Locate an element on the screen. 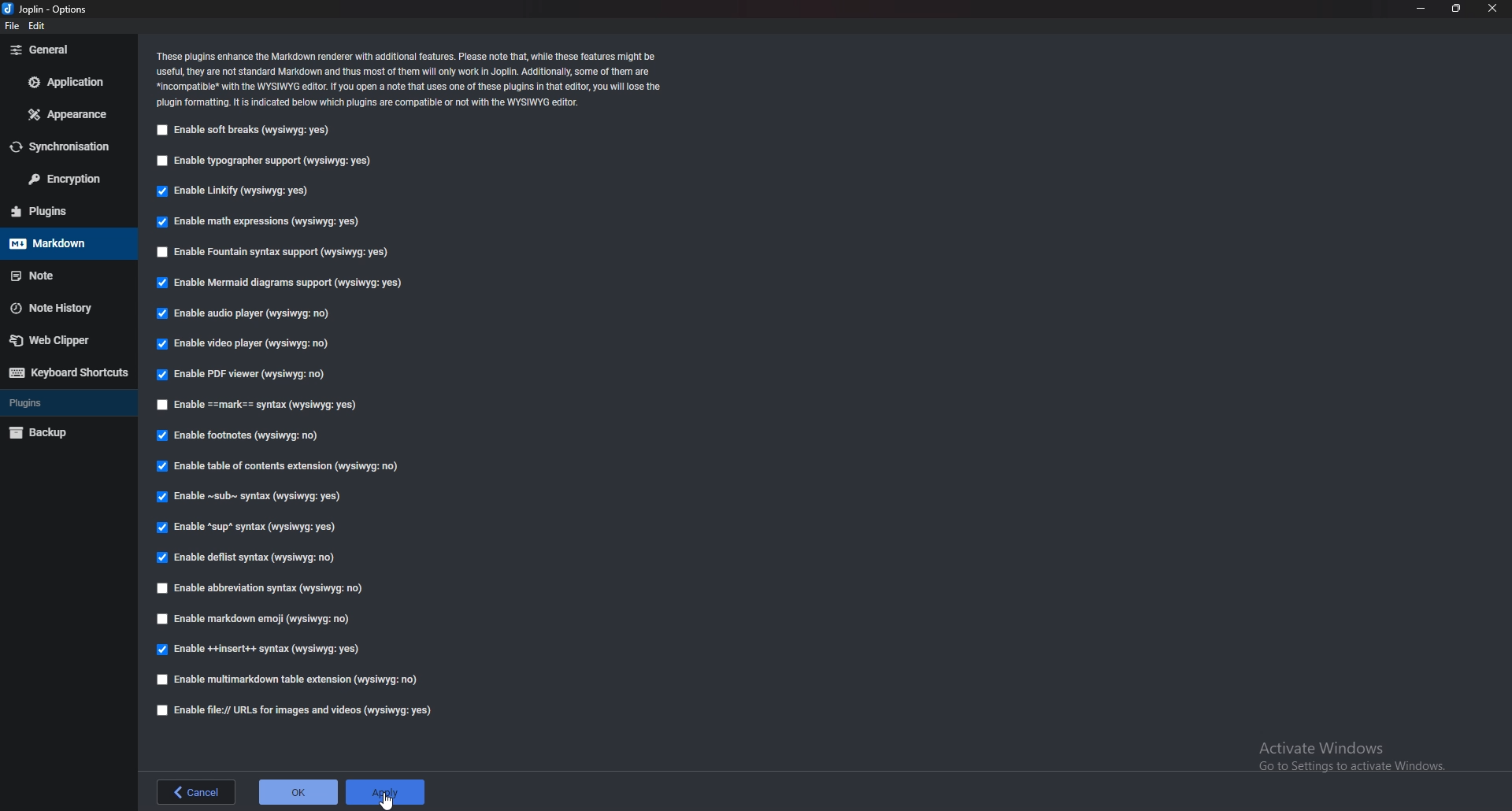  enable PDF viewer is located at coordinates (245, 376).